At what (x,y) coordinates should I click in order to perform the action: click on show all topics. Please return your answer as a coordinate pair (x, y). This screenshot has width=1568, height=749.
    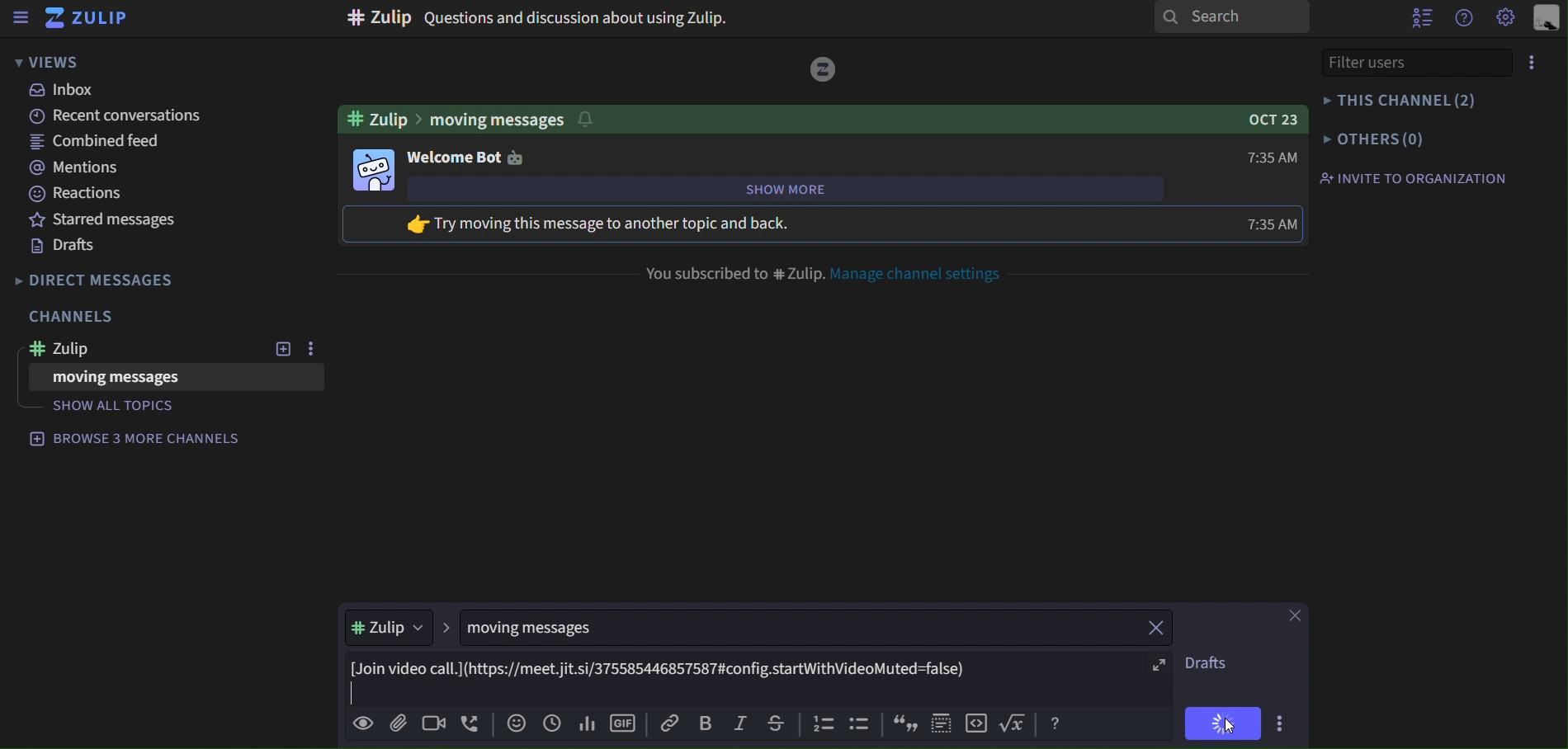
    Looking at the image, I should click on (124, 407).